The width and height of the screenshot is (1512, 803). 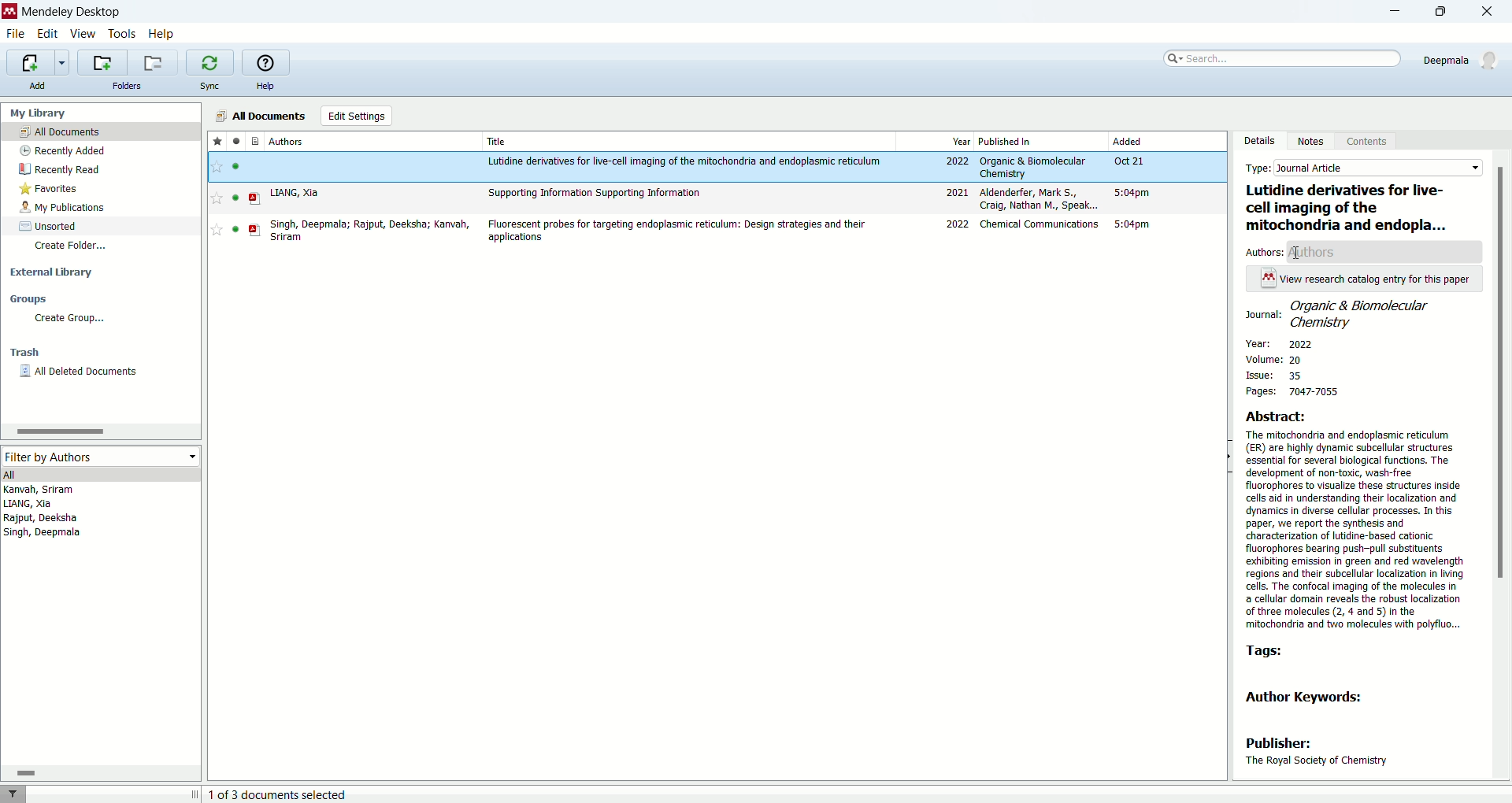 I want to click on create group, so click(x=69, y=320).